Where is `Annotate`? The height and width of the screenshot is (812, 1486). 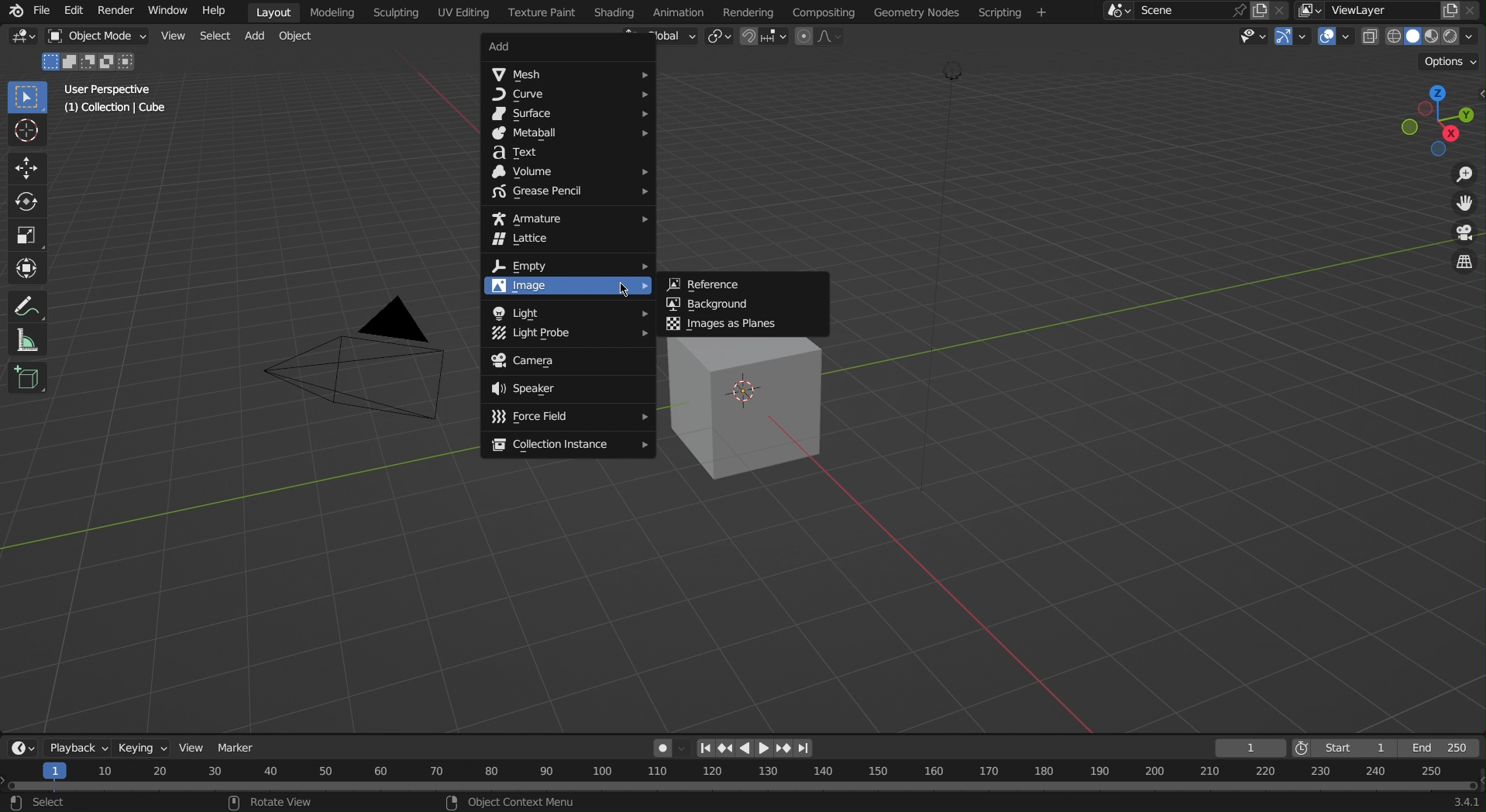
Annotate is located at coordinates (24, 304).